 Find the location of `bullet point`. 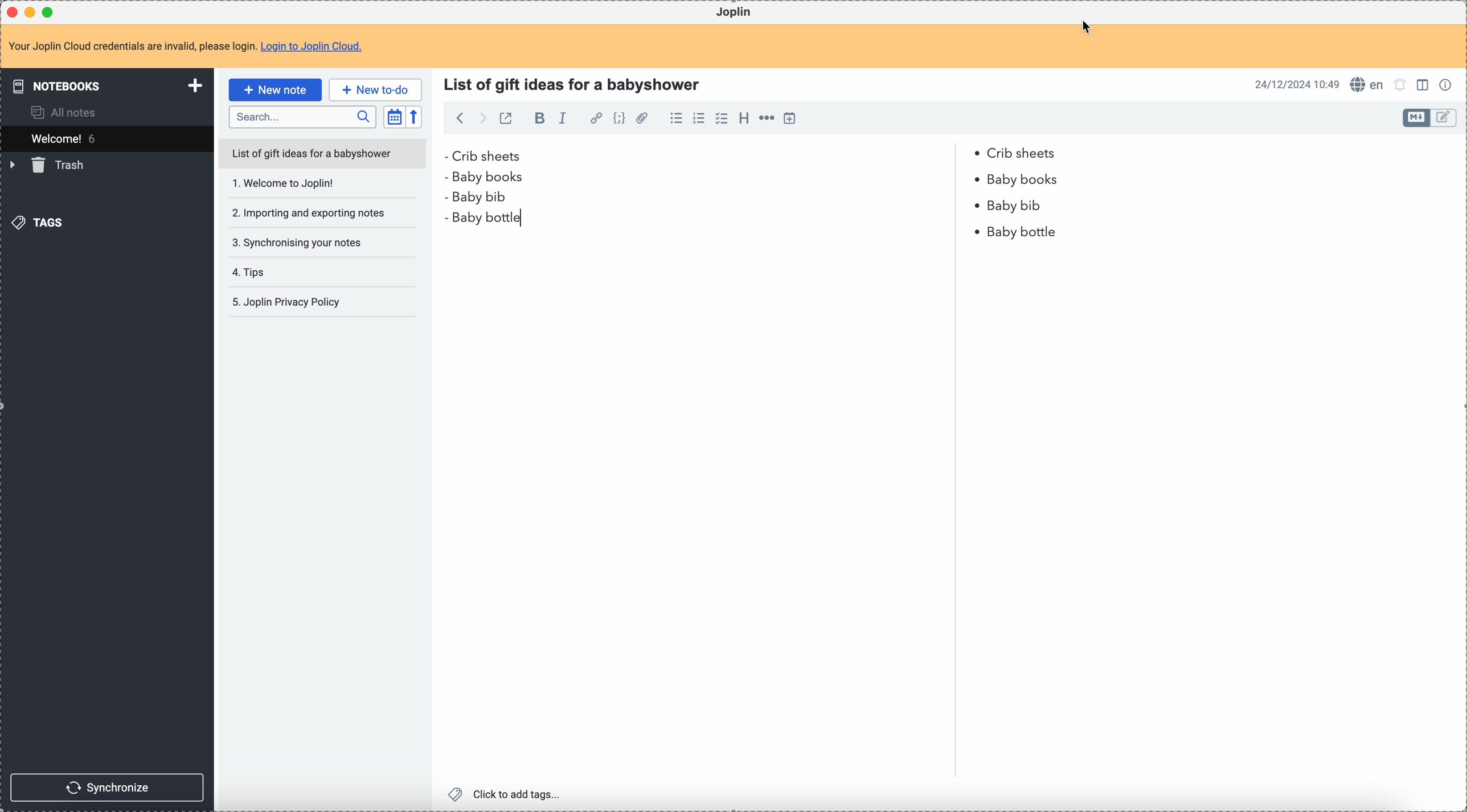

bullet point is located at coordinates (445, 156).